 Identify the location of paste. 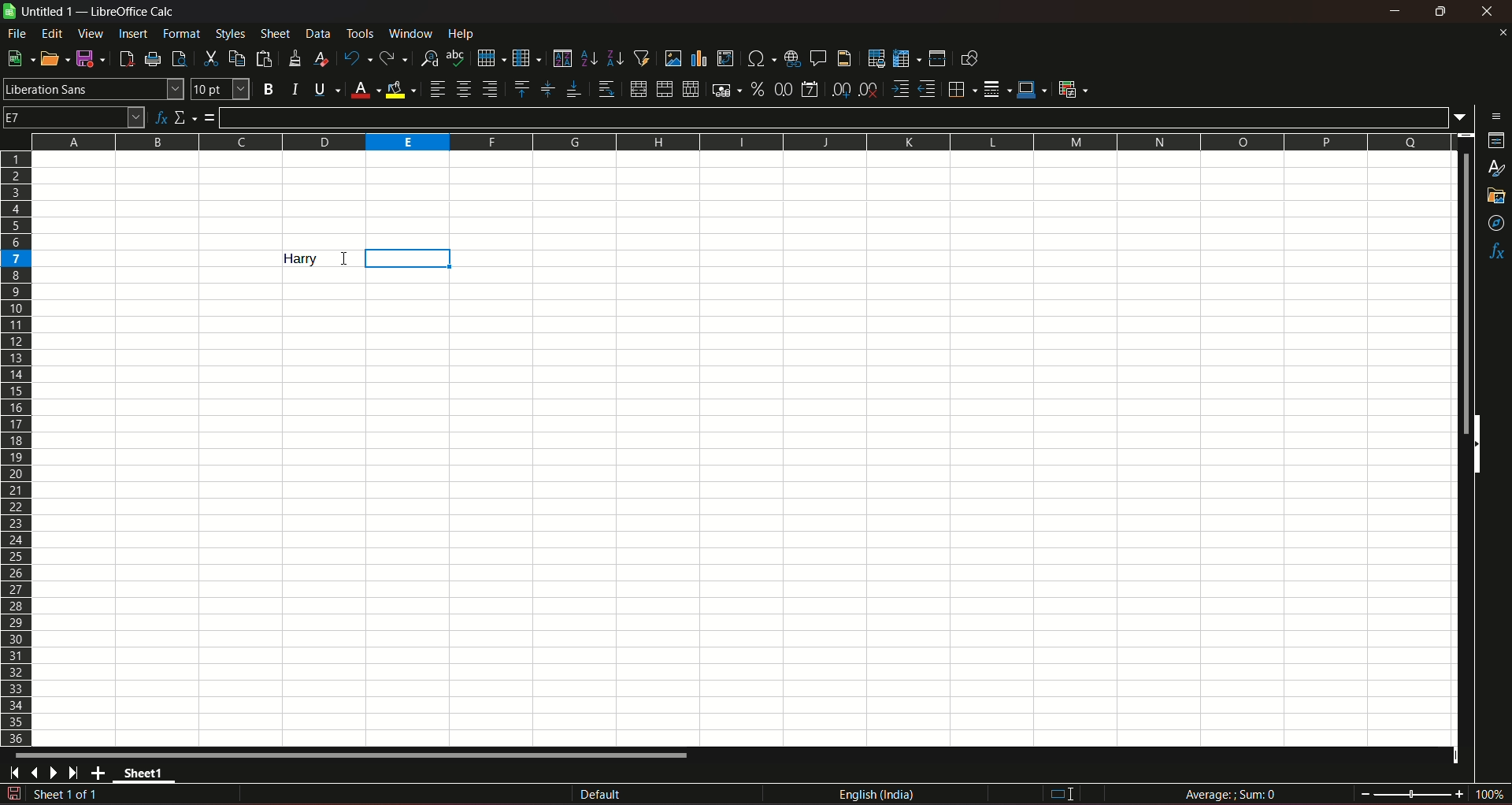
(266, 58).